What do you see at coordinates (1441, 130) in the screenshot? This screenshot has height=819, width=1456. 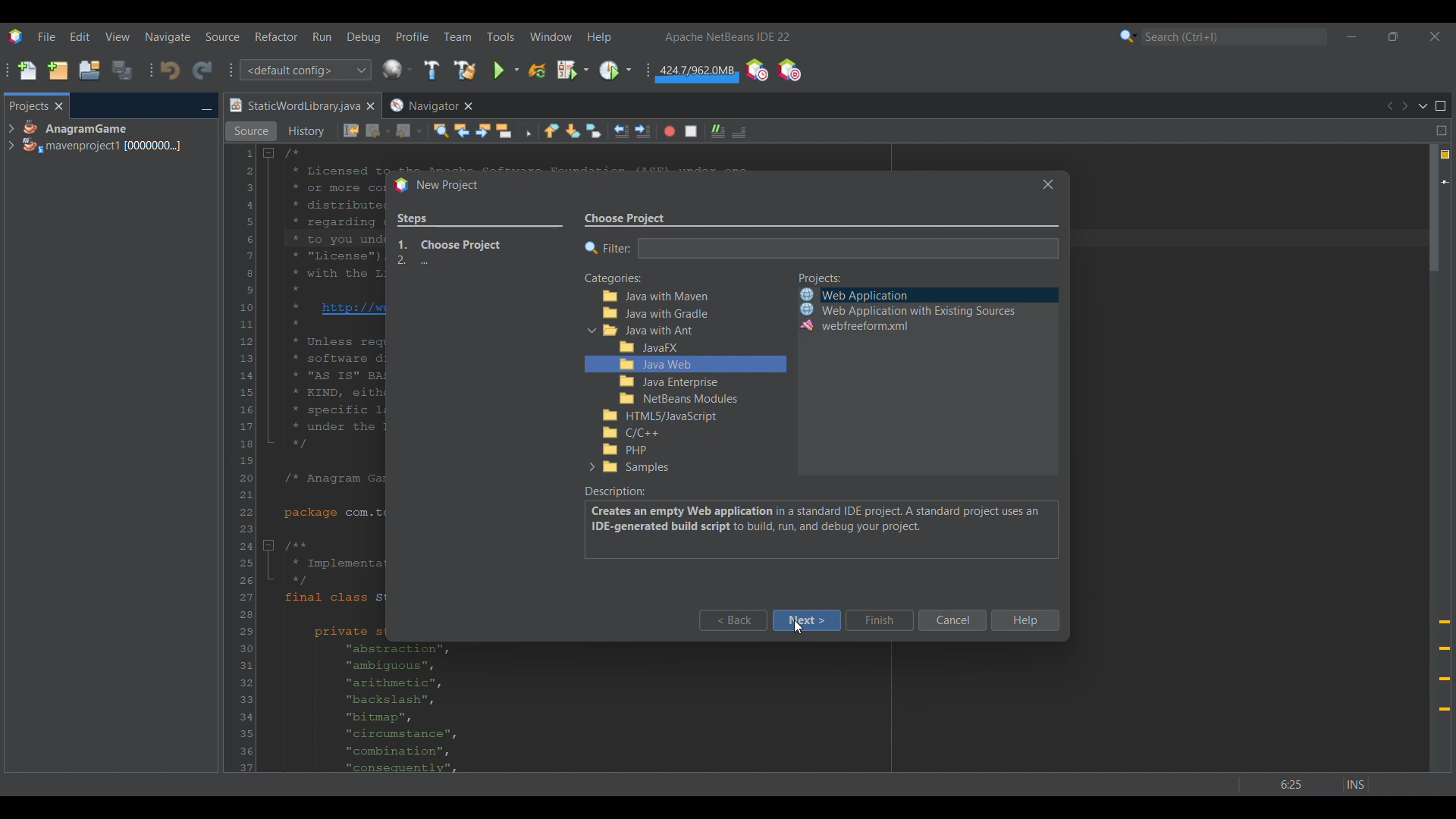 I see `Split window horizontally or vertically` at bounding box center [1441, 130].